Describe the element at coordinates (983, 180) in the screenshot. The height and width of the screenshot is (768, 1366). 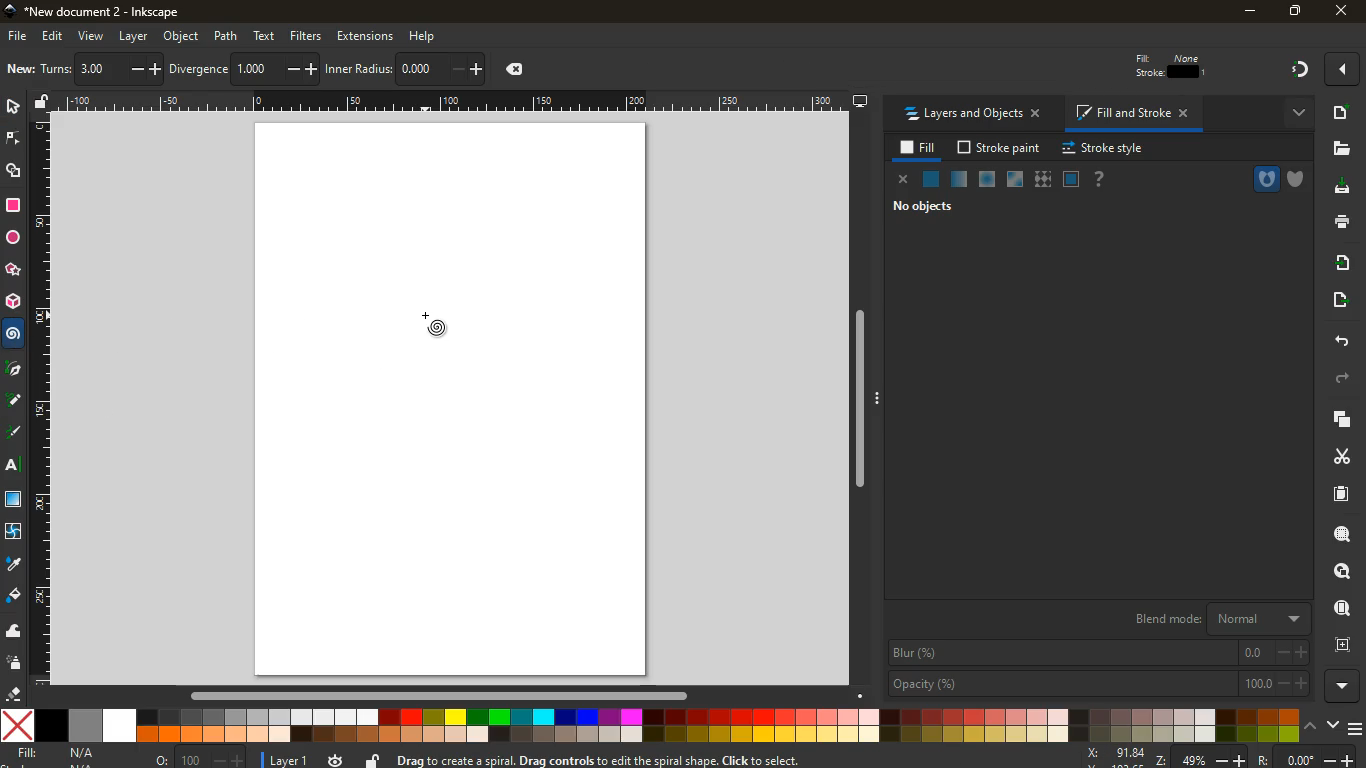
I see `ice` at that location.